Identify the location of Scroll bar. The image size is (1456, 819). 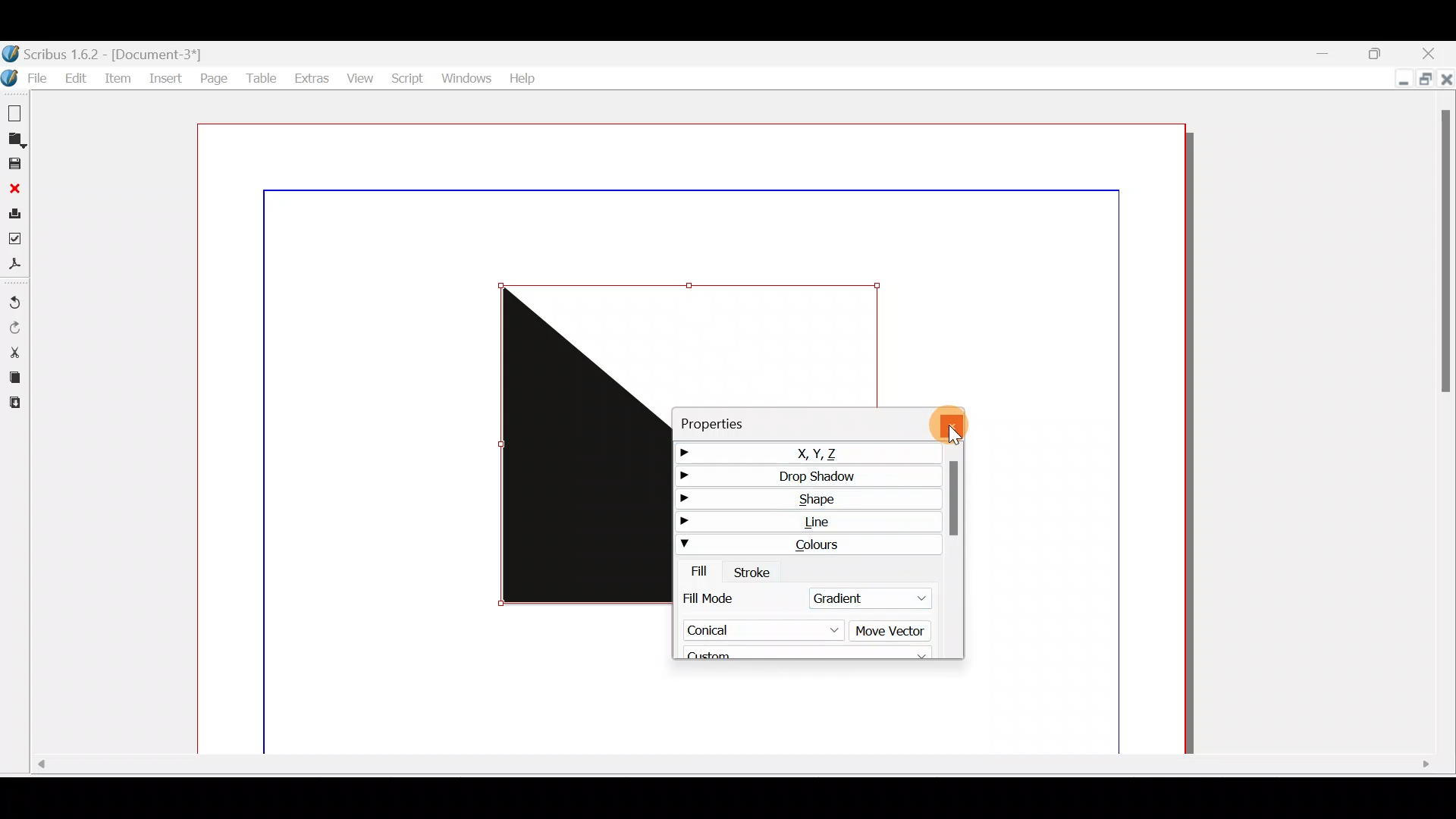
(954, 554).